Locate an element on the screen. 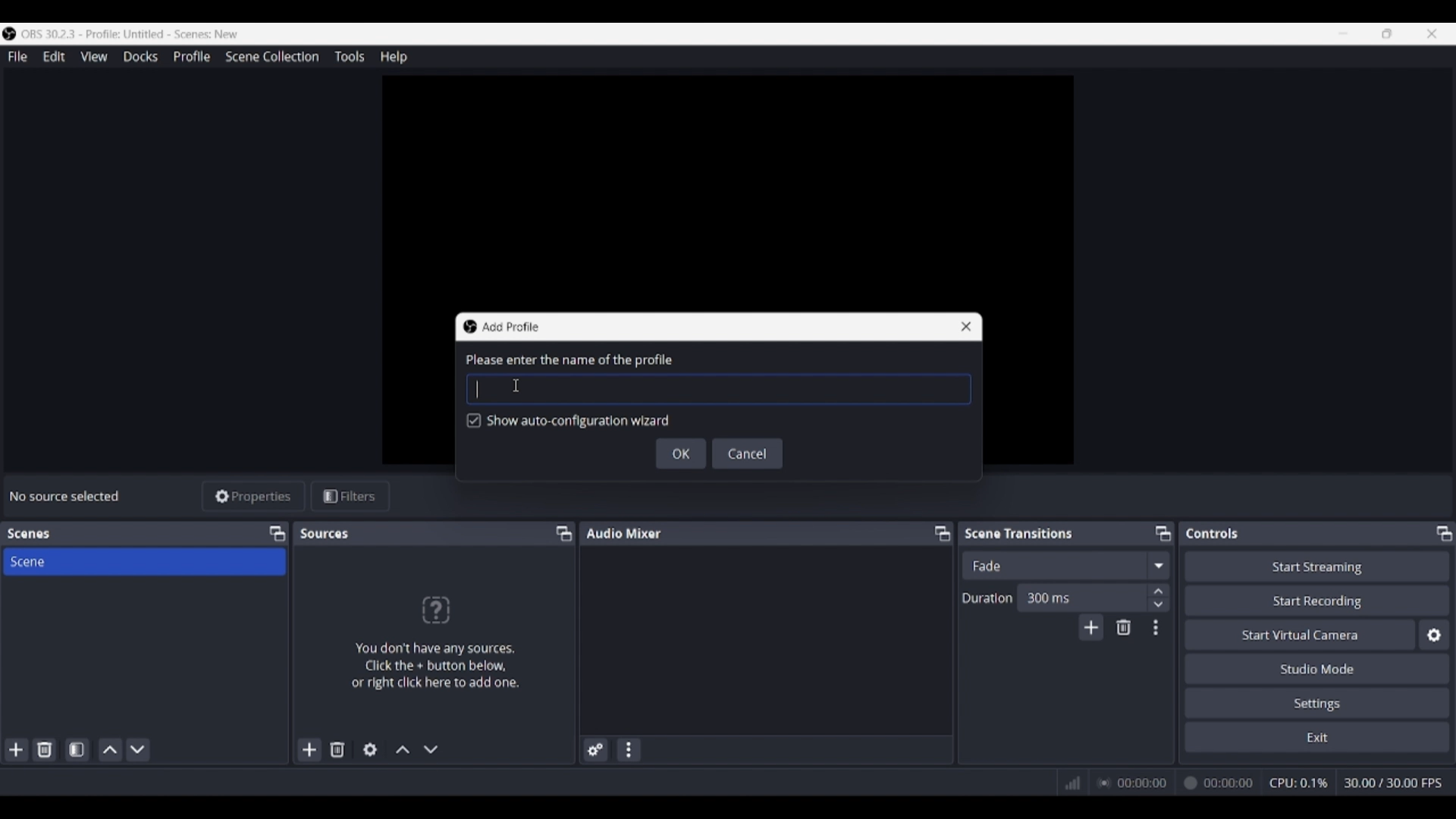  Edit menu is located at coordinates (53, 57).